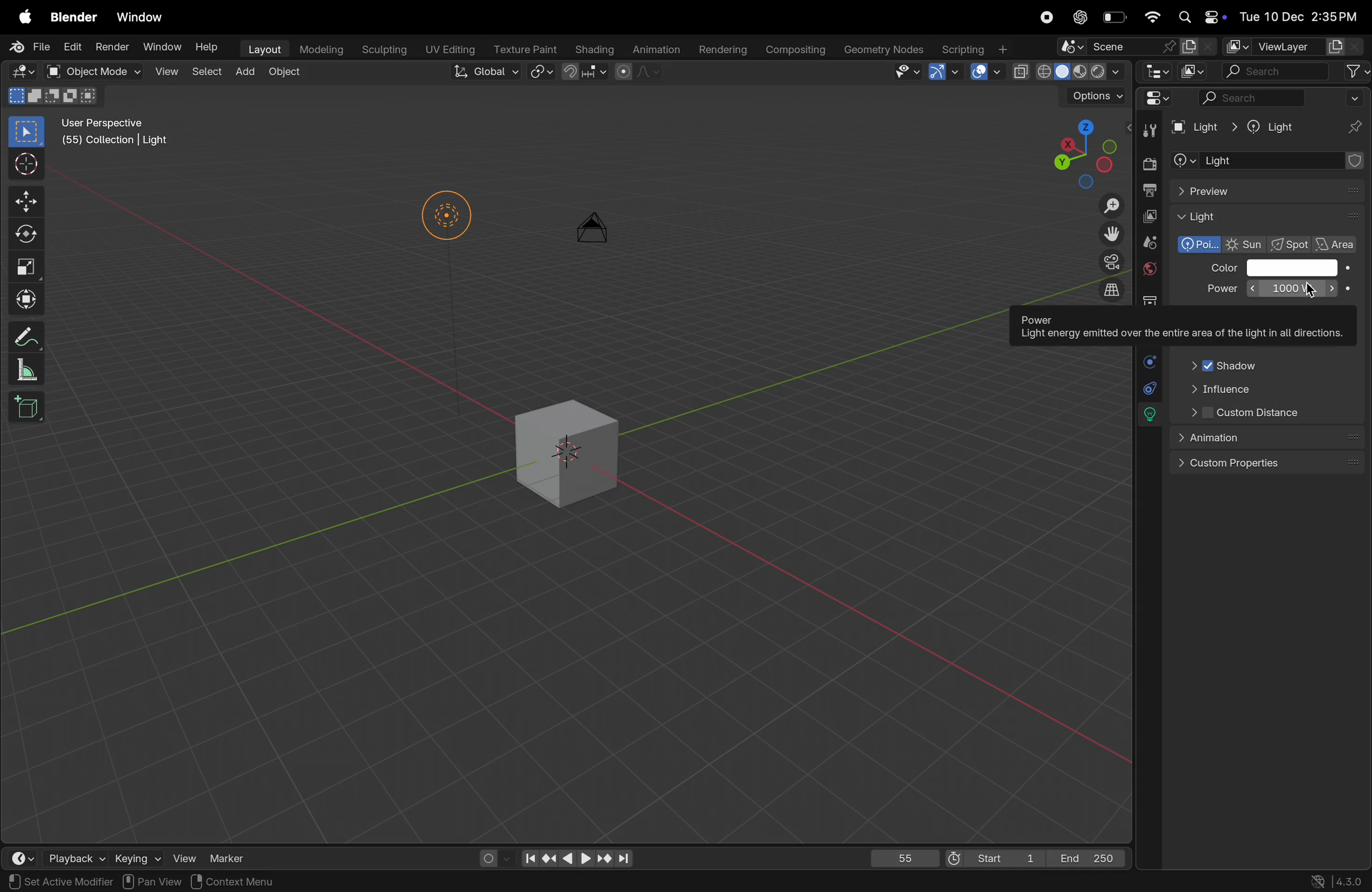 The height and width of the screenshot is (892, 1372). What do you see at coordinates (1151, 244) in the screenshot?
I see `scene` at bounding box center [1151, 244].